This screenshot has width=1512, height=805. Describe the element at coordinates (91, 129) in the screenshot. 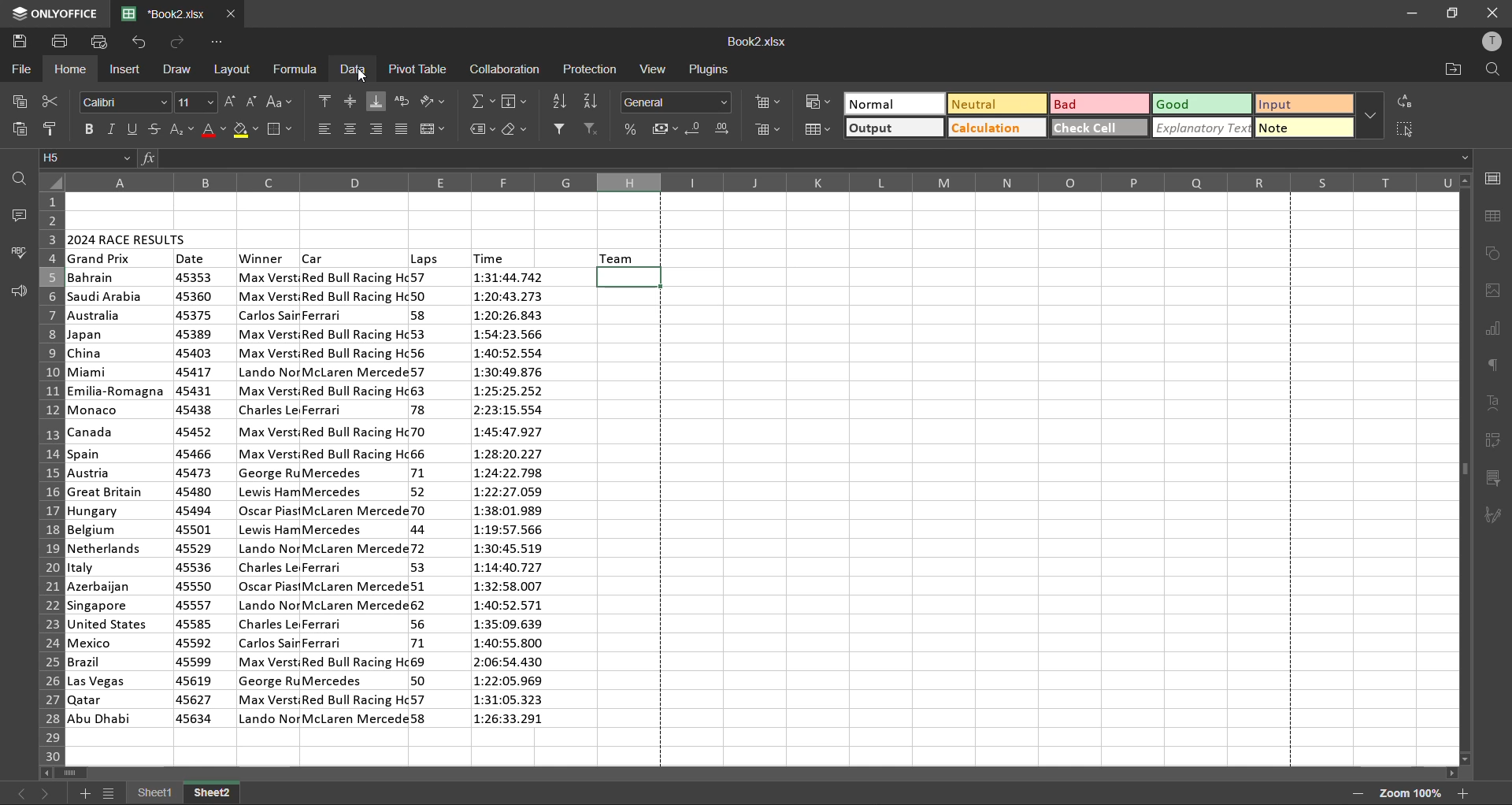

I see `bold` at that location.